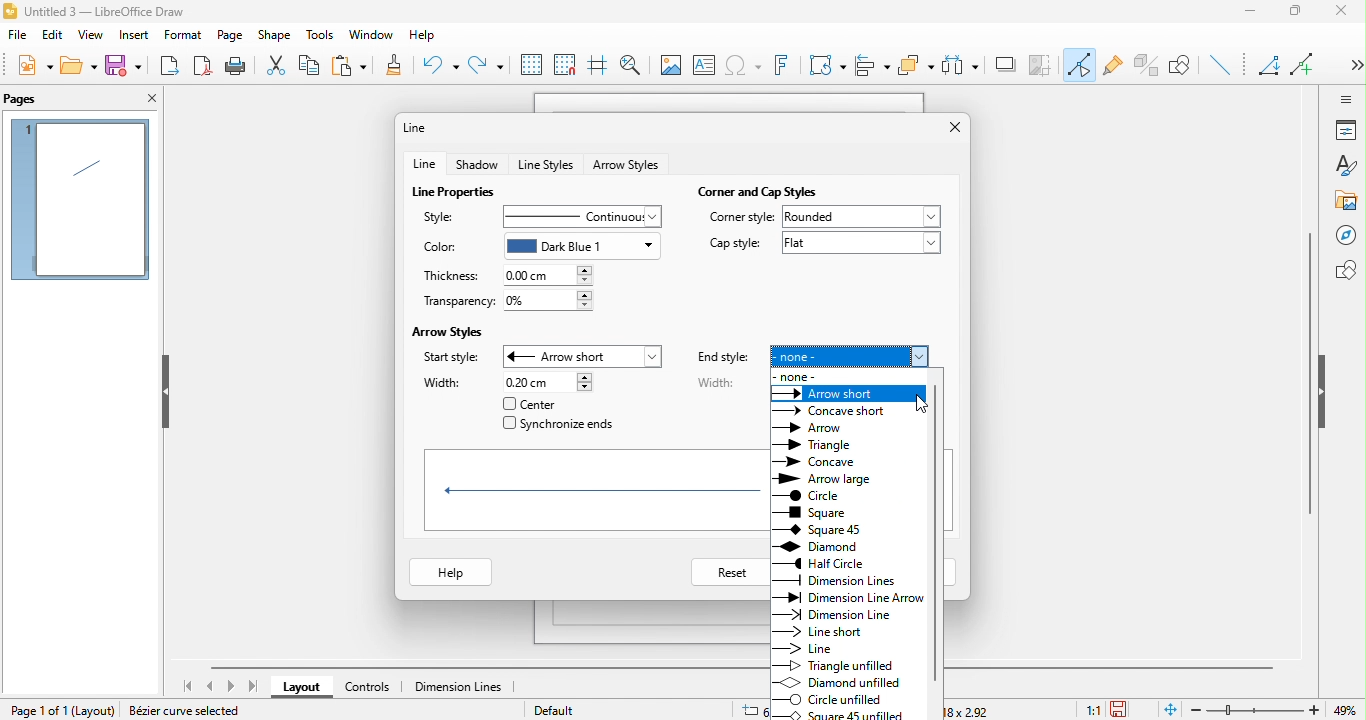 This screenshot has height=720, width=1366. I want to click on next page, so click(231, 687).